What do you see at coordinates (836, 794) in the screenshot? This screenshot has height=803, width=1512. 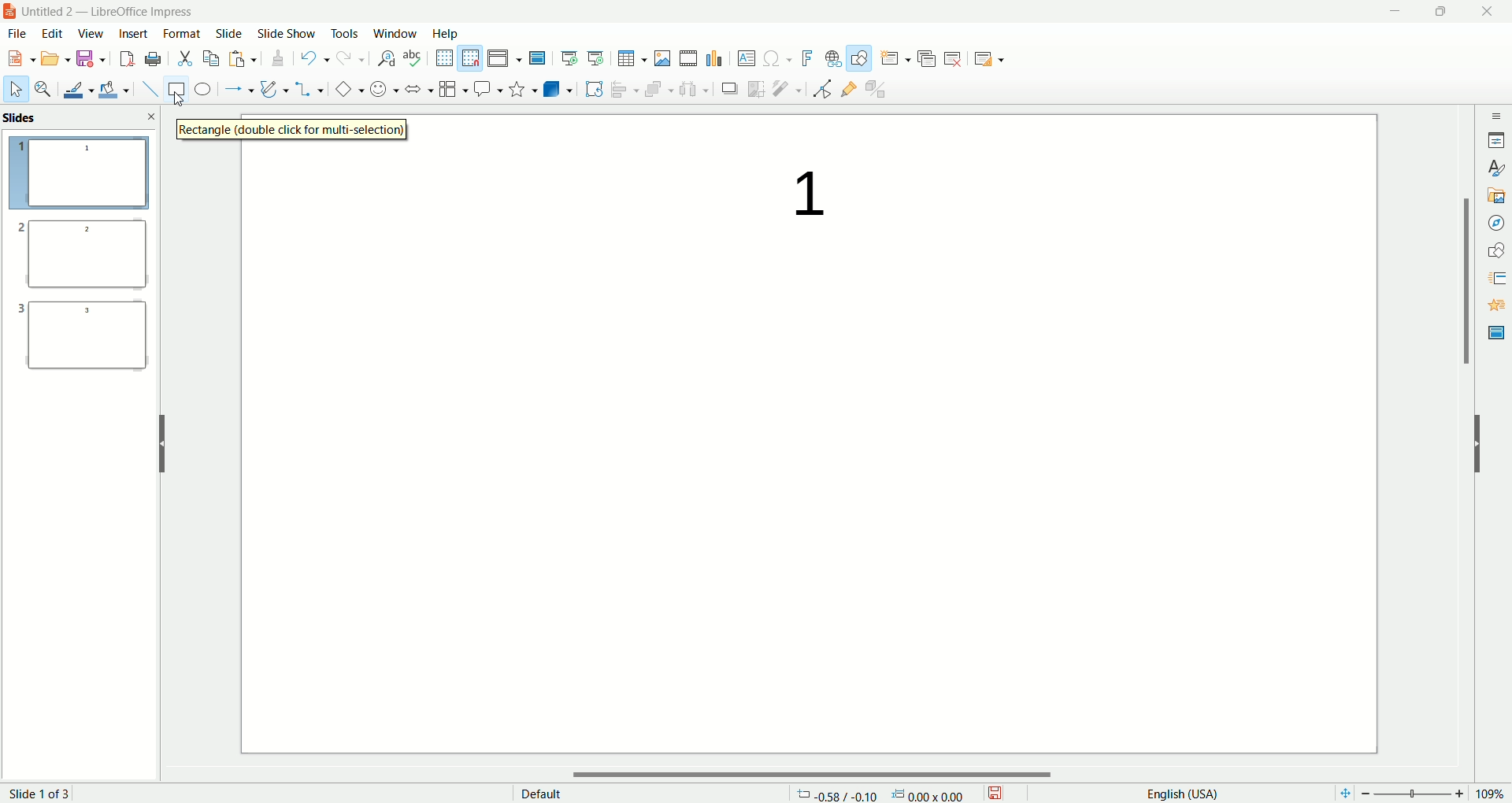 I see `coordinates` at bounding box center [836, 794].